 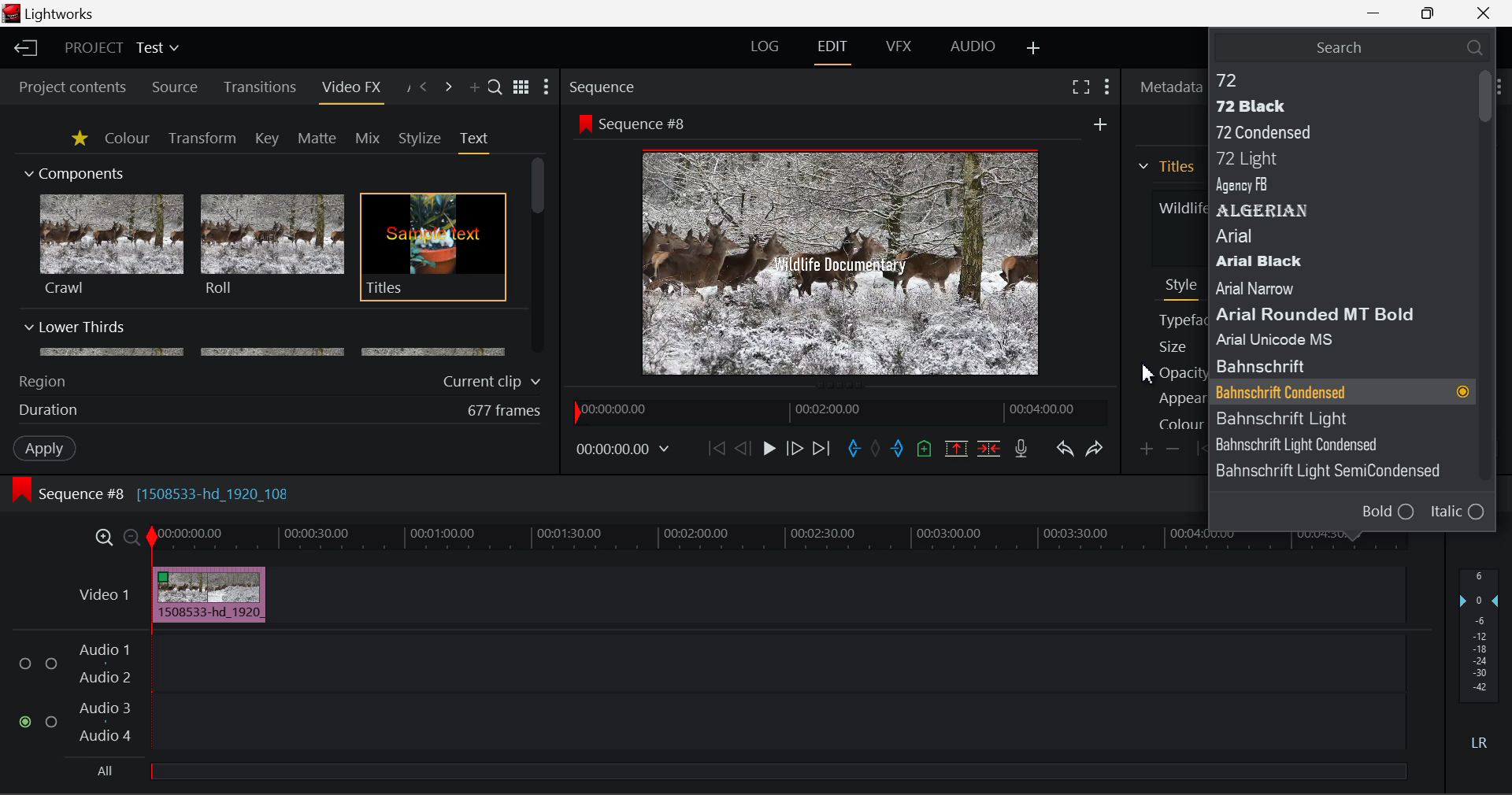 I want to click on Undo, so click(x=1065, y=450).